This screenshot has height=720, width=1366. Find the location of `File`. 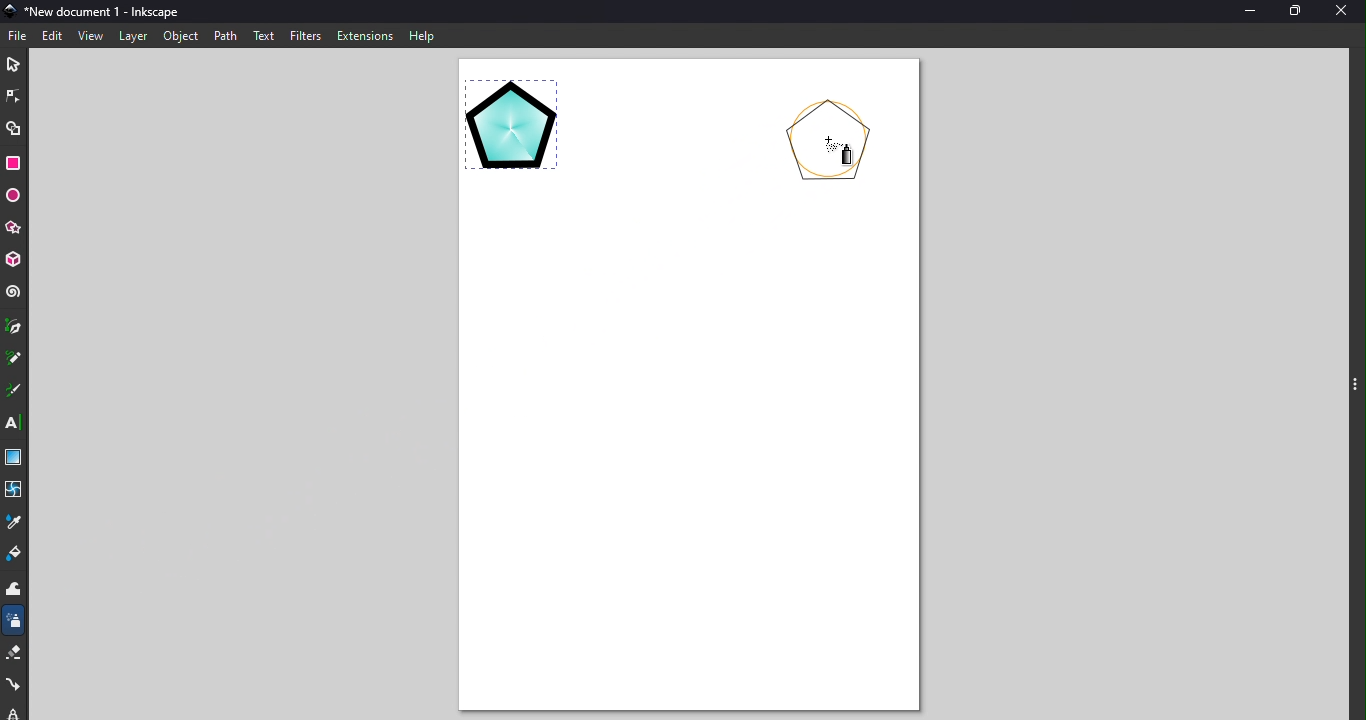

File is located at coordinates (19, 33).